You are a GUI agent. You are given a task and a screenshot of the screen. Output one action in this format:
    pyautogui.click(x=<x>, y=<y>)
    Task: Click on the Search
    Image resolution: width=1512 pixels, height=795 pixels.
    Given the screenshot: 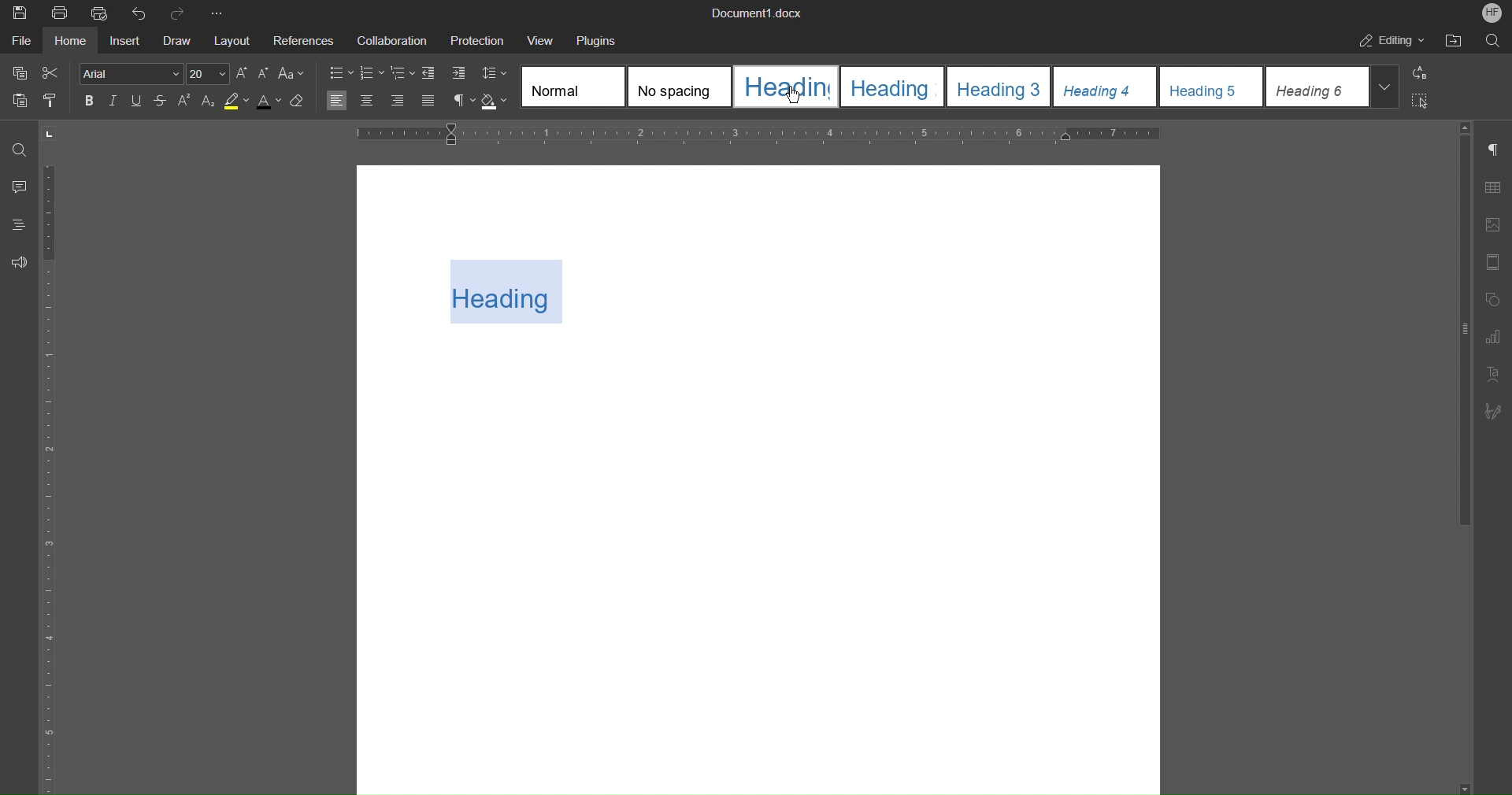 What is the action you would take?
    pyautogui.click(x=1494, y=38)
    